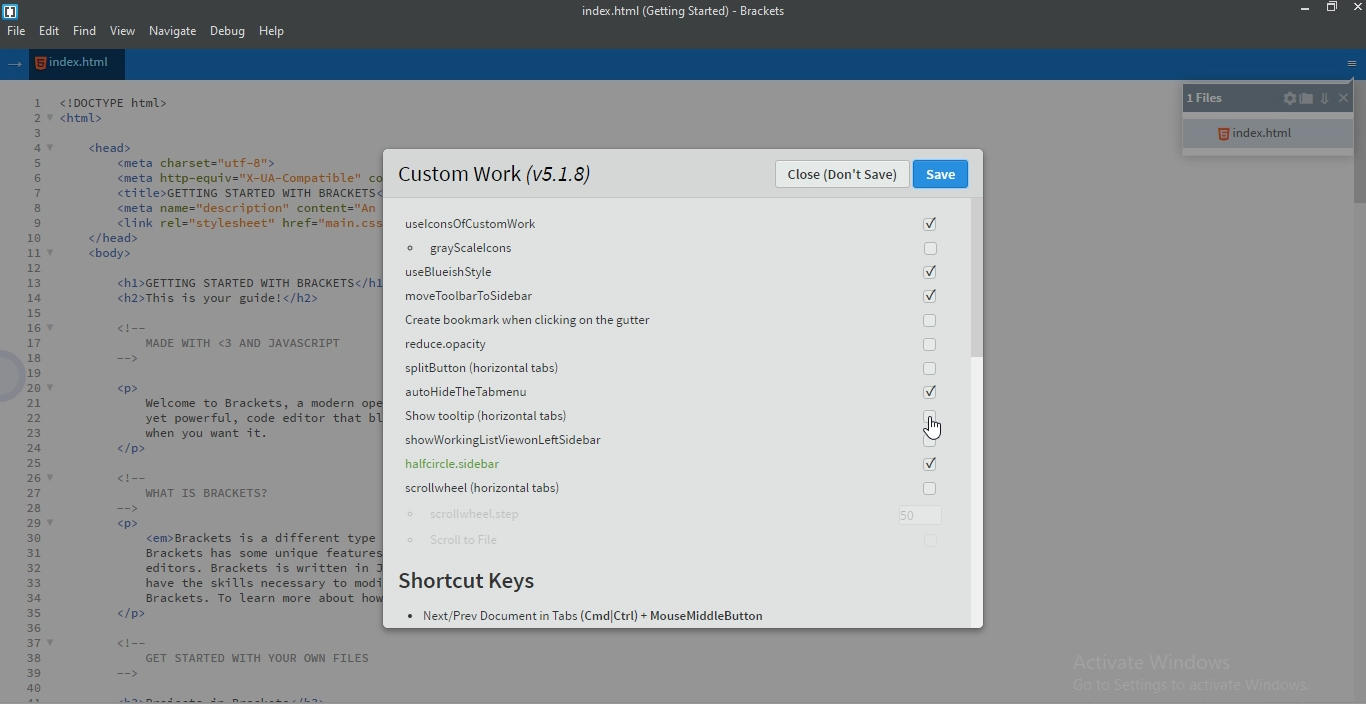  What do you see at coordinates (15, 31) in the screenshot?
I see `file` at bounding box center [15, 31].